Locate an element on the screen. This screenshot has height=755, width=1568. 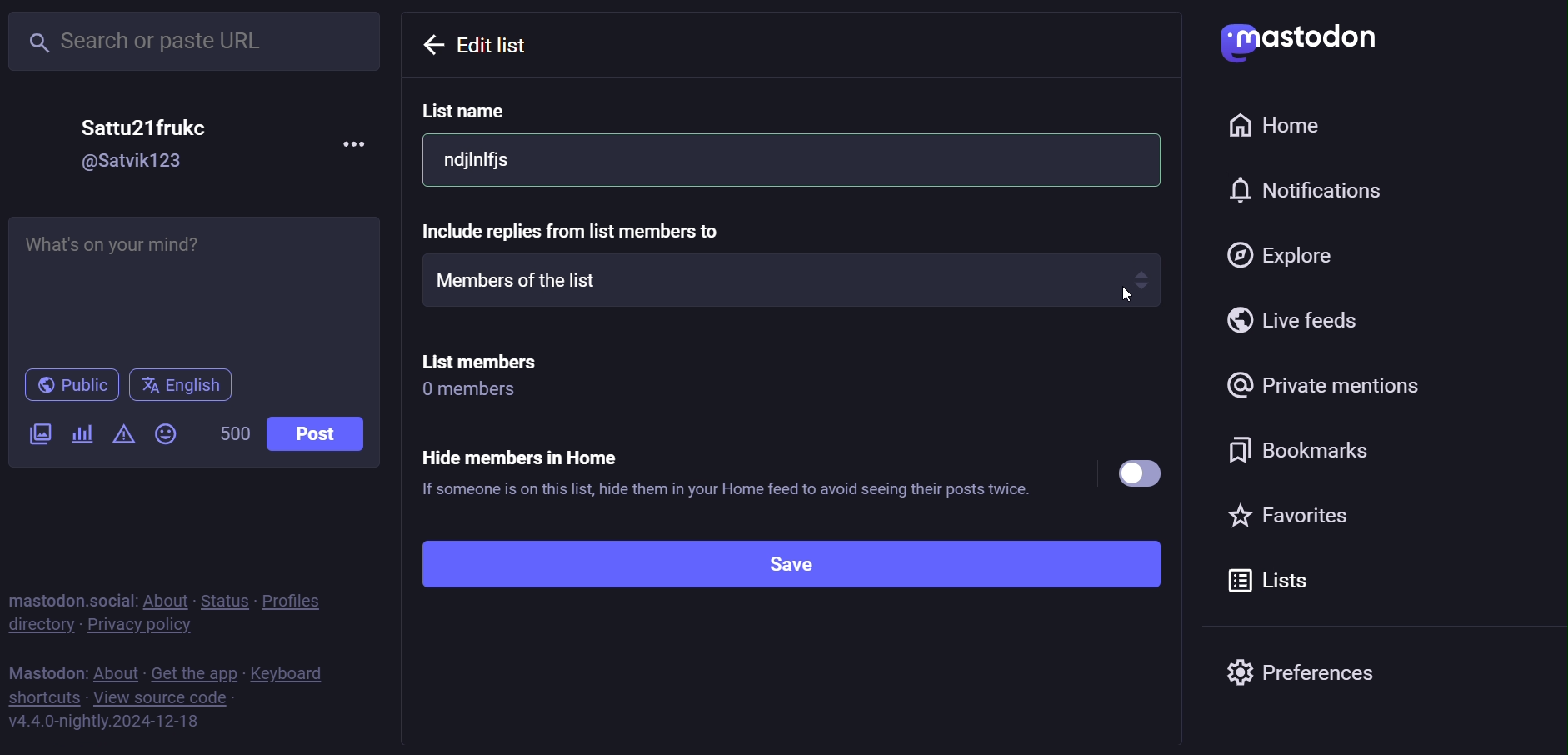
directory is located at coordinates (40, 625).